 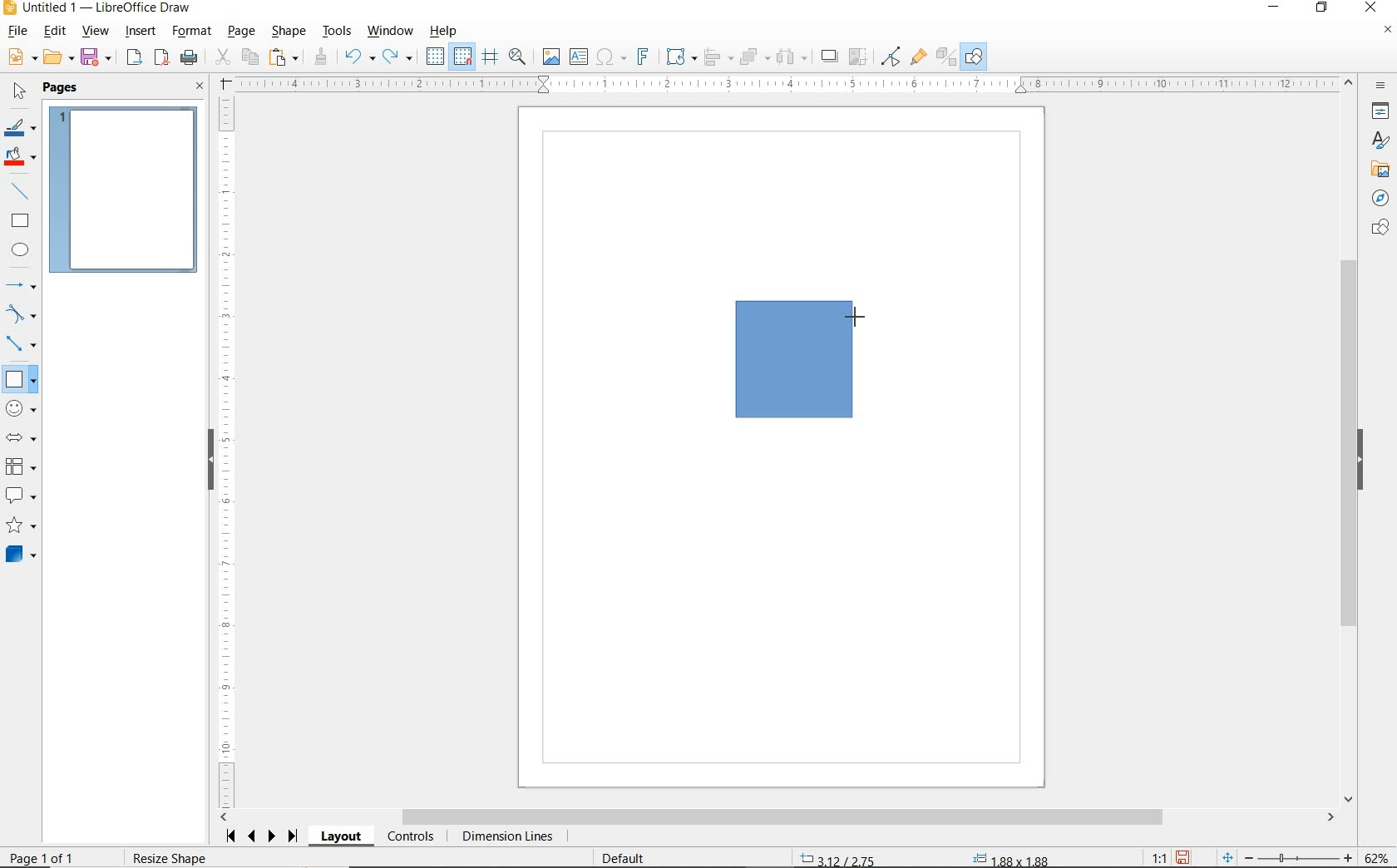 What do you see at coordinates (284, 57) in the screenshot?
I see `PASTE` at bounding box center [284, 57].